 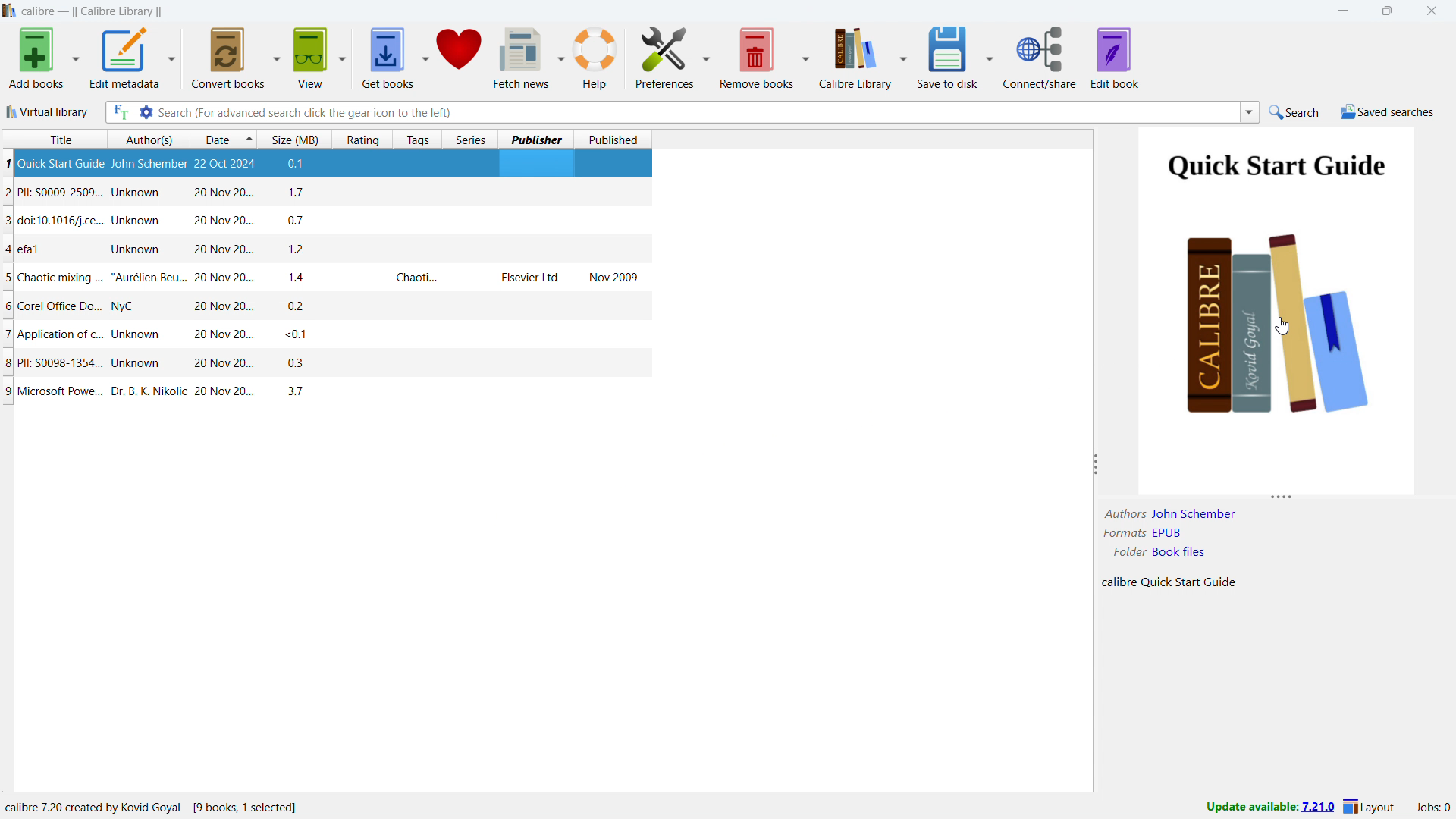 I want to click on Mlicrosoft Powe... Dr. B. K. Nikolic, so click(x=96, y=391).